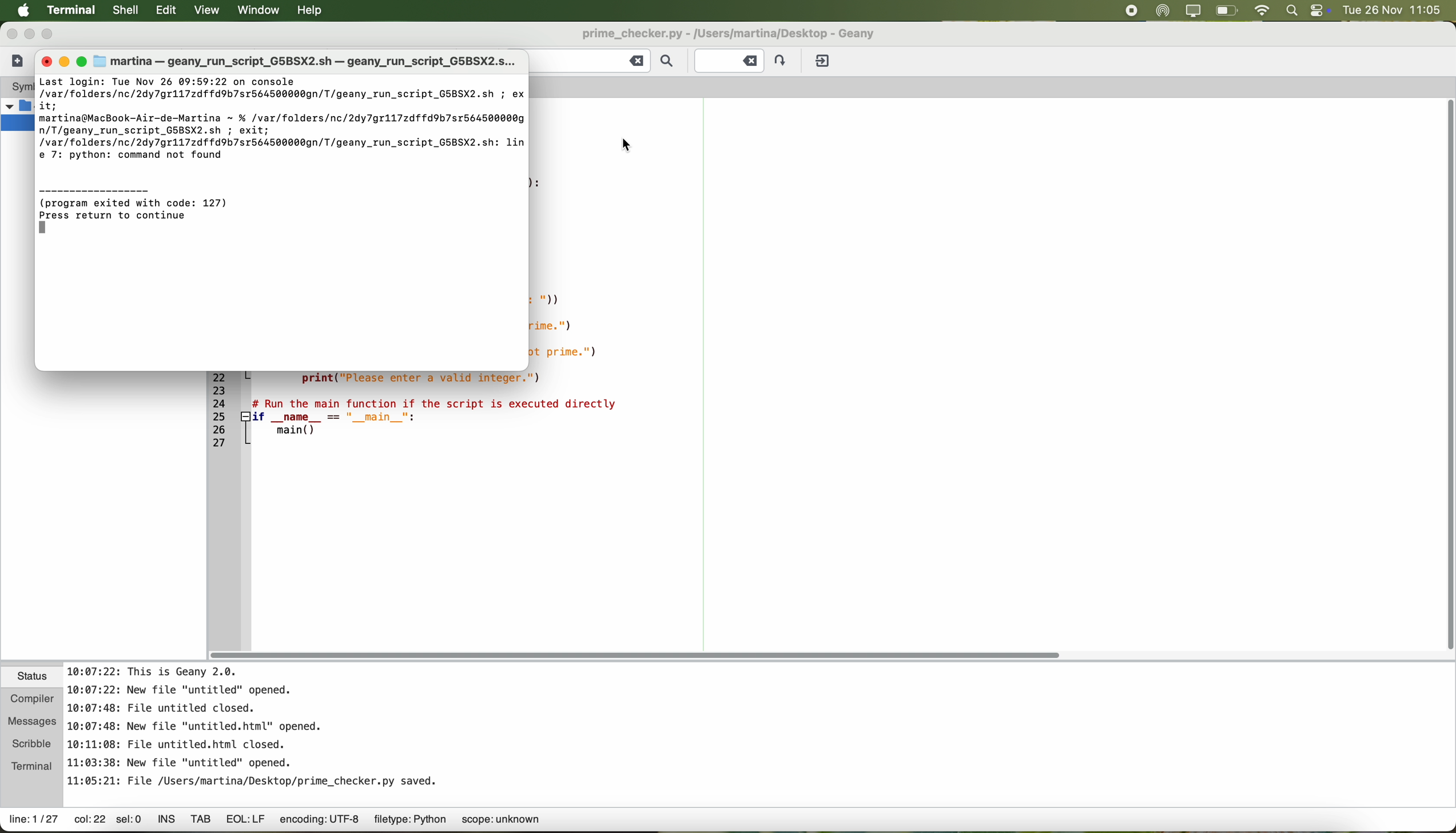 Image resolution: width=1456 pixels, height=833 pixels. Describe the element at coordinates (124, 10) in the screenshot. I see `shell` at that location.